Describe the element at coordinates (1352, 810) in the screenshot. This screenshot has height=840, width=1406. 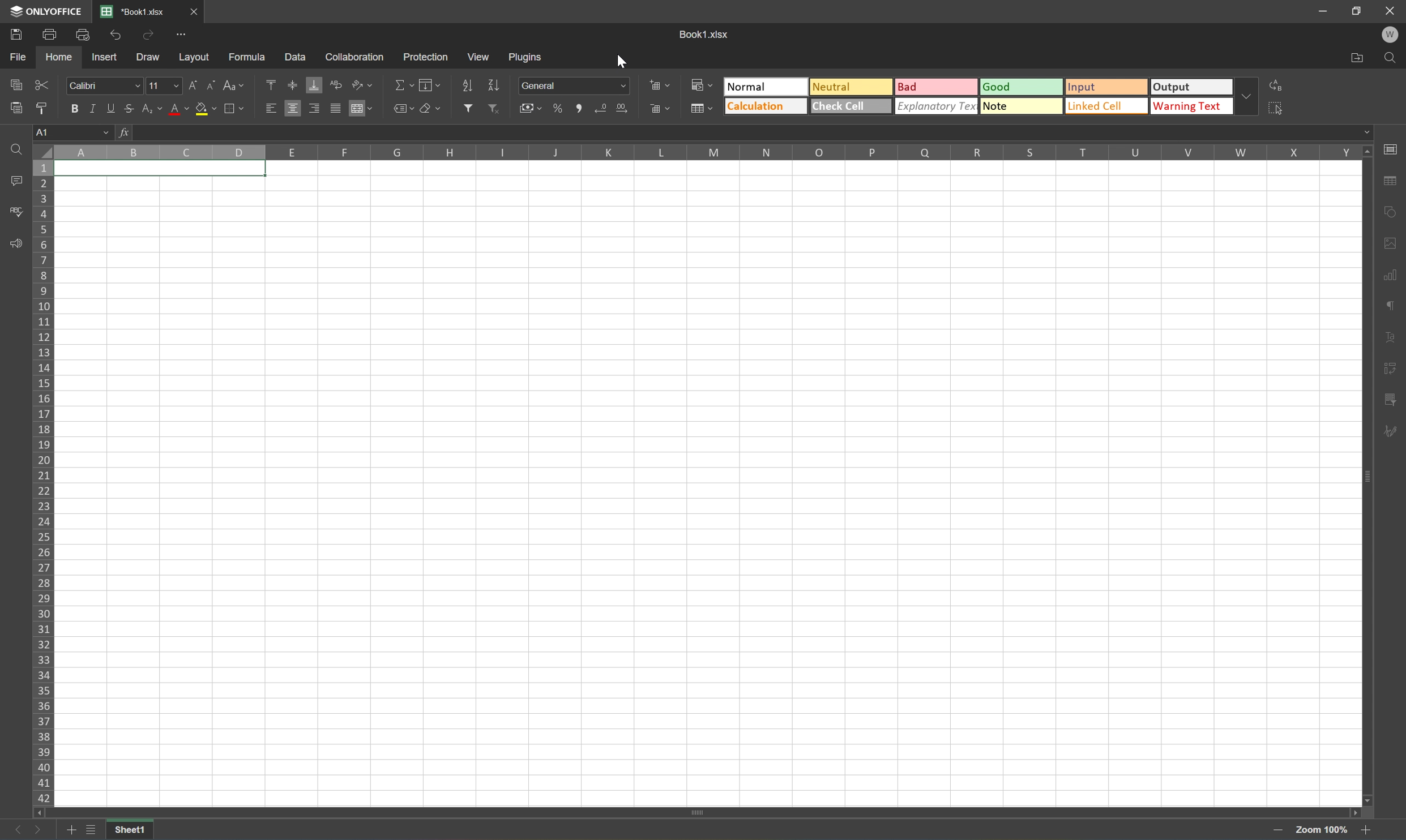
I see `Scroll right` at that location.